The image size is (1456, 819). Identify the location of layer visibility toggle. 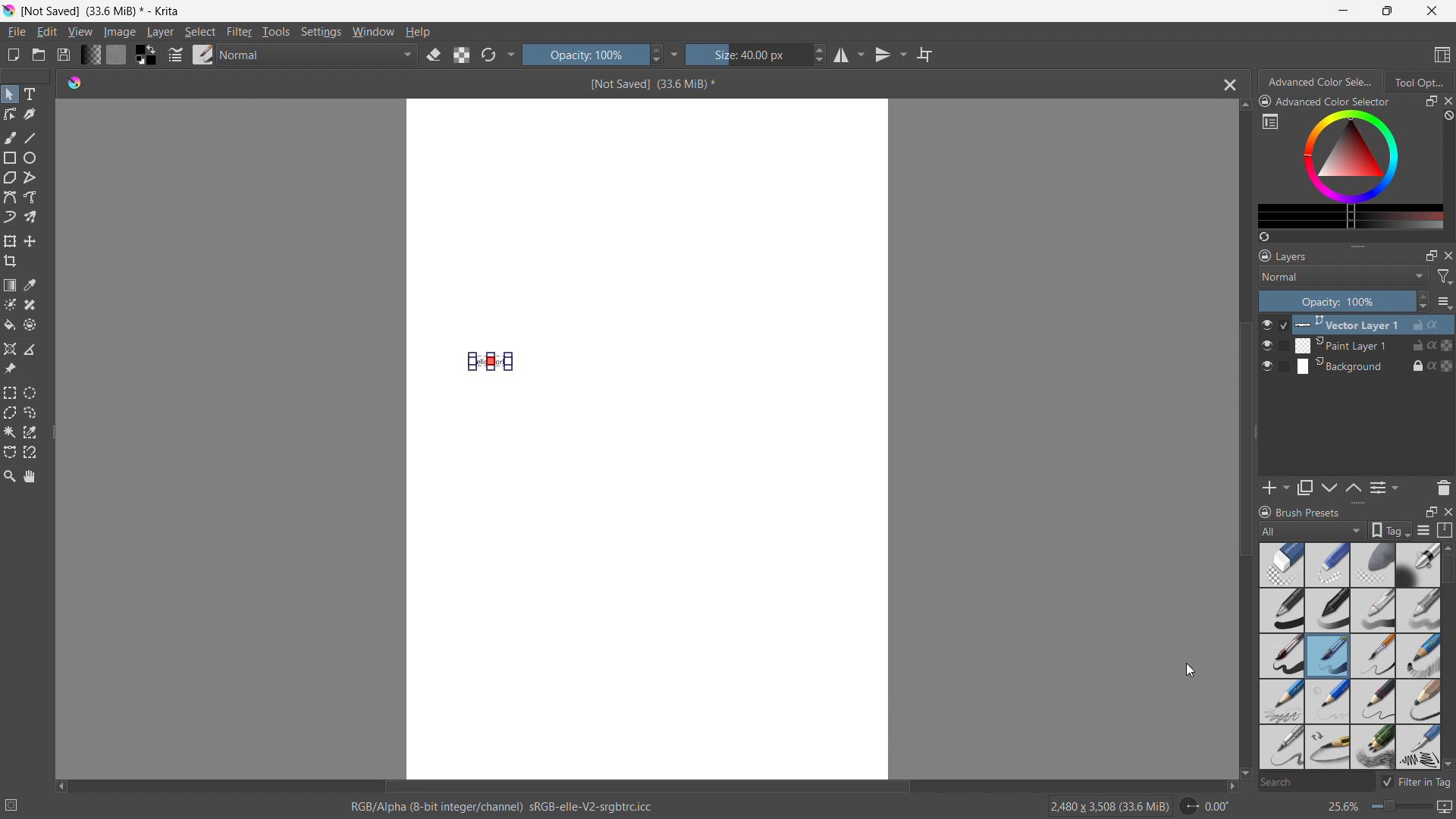
(1267, 345).